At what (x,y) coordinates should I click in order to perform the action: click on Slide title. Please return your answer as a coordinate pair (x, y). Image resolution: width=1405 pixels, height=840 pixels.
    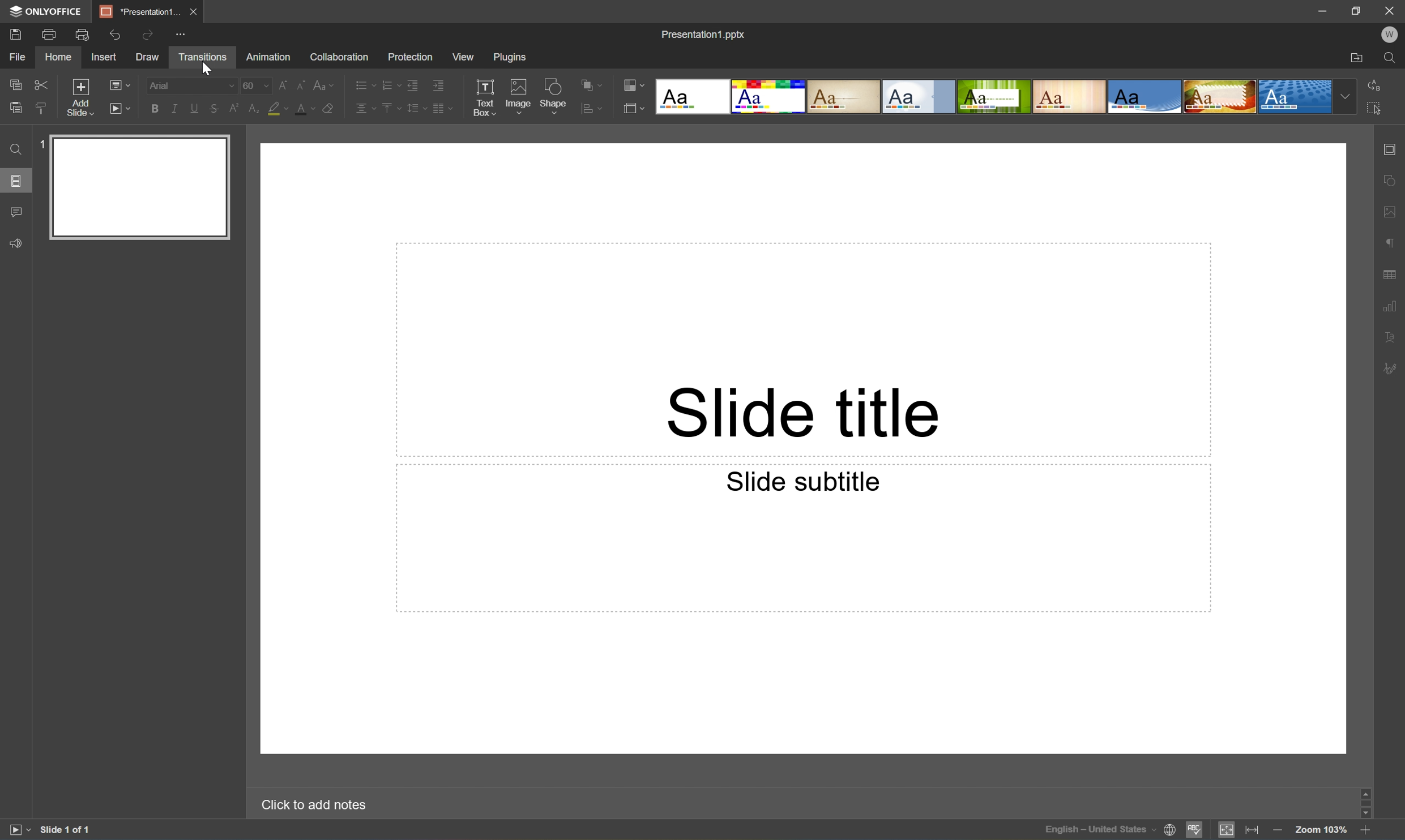
    Looking at the image, I should click on (804, 412).